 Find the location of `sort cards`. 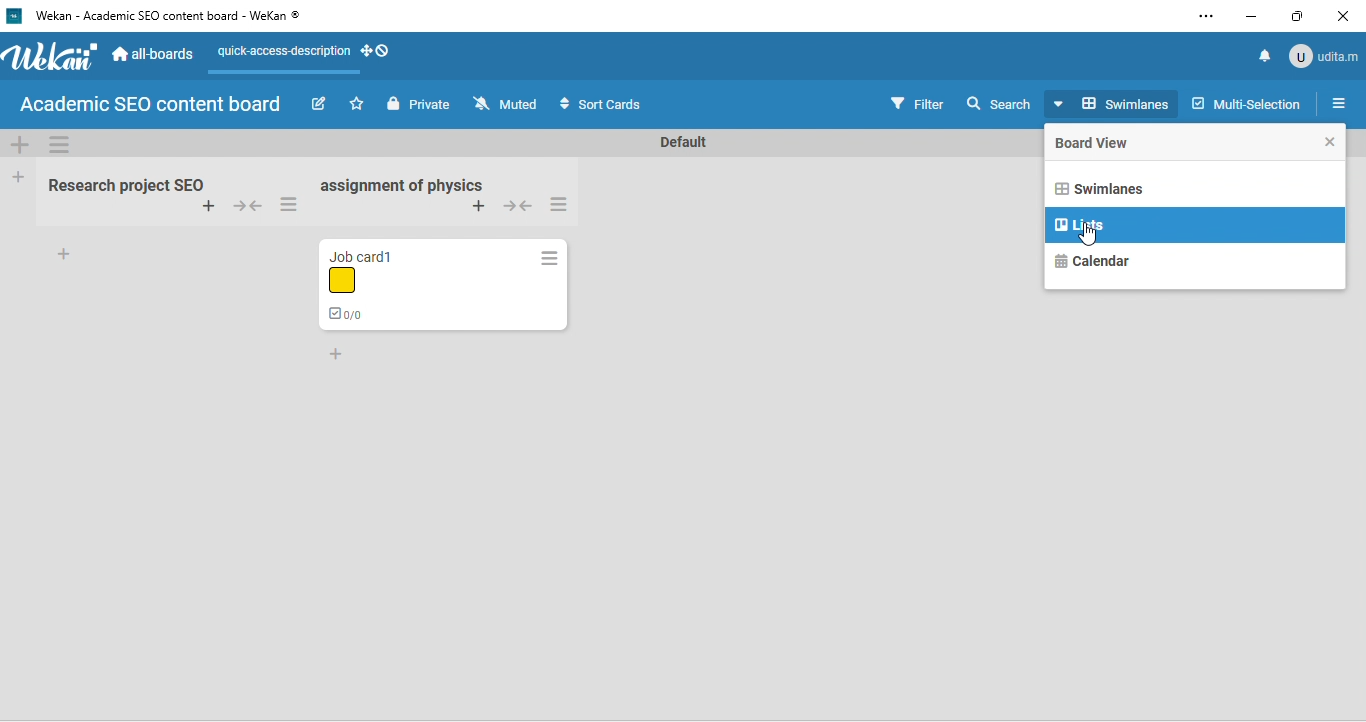

sort cards is located at coordinates (604, 104).